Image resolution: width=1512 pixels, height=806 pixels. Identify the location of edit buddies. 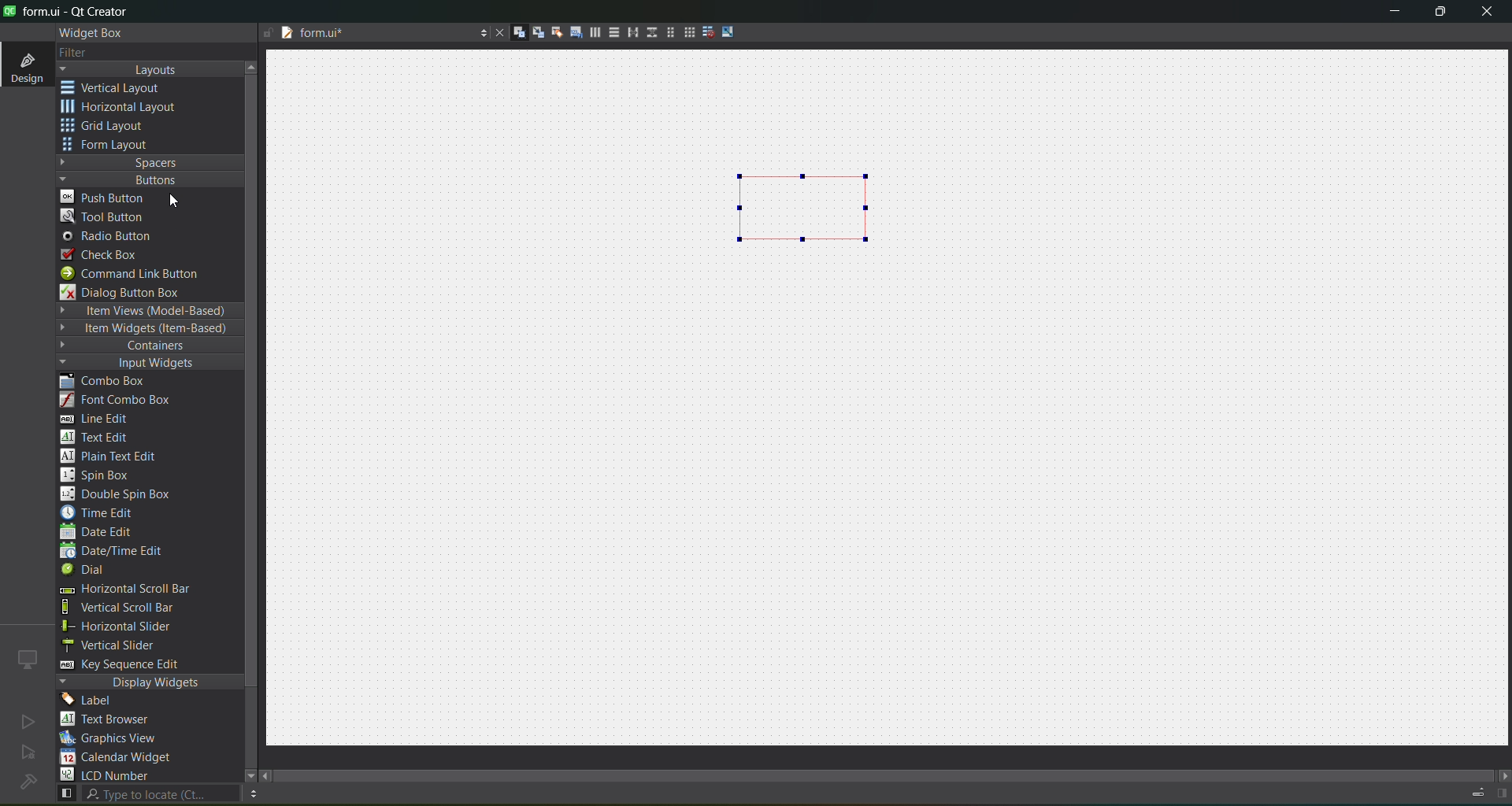
(551, 32).